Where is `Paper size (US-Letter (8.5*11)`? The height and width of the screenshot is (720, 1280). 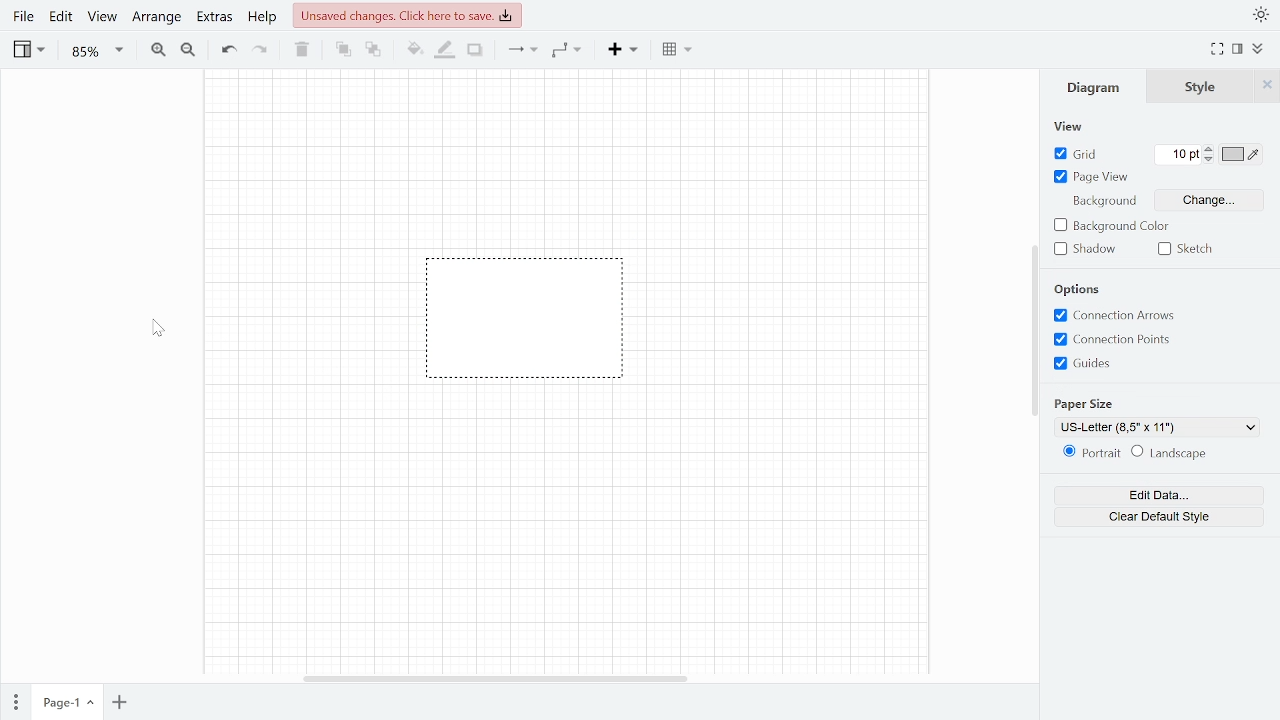 Paper size (US-Letter (8.5*11) is located at coordinates (1158, 426).